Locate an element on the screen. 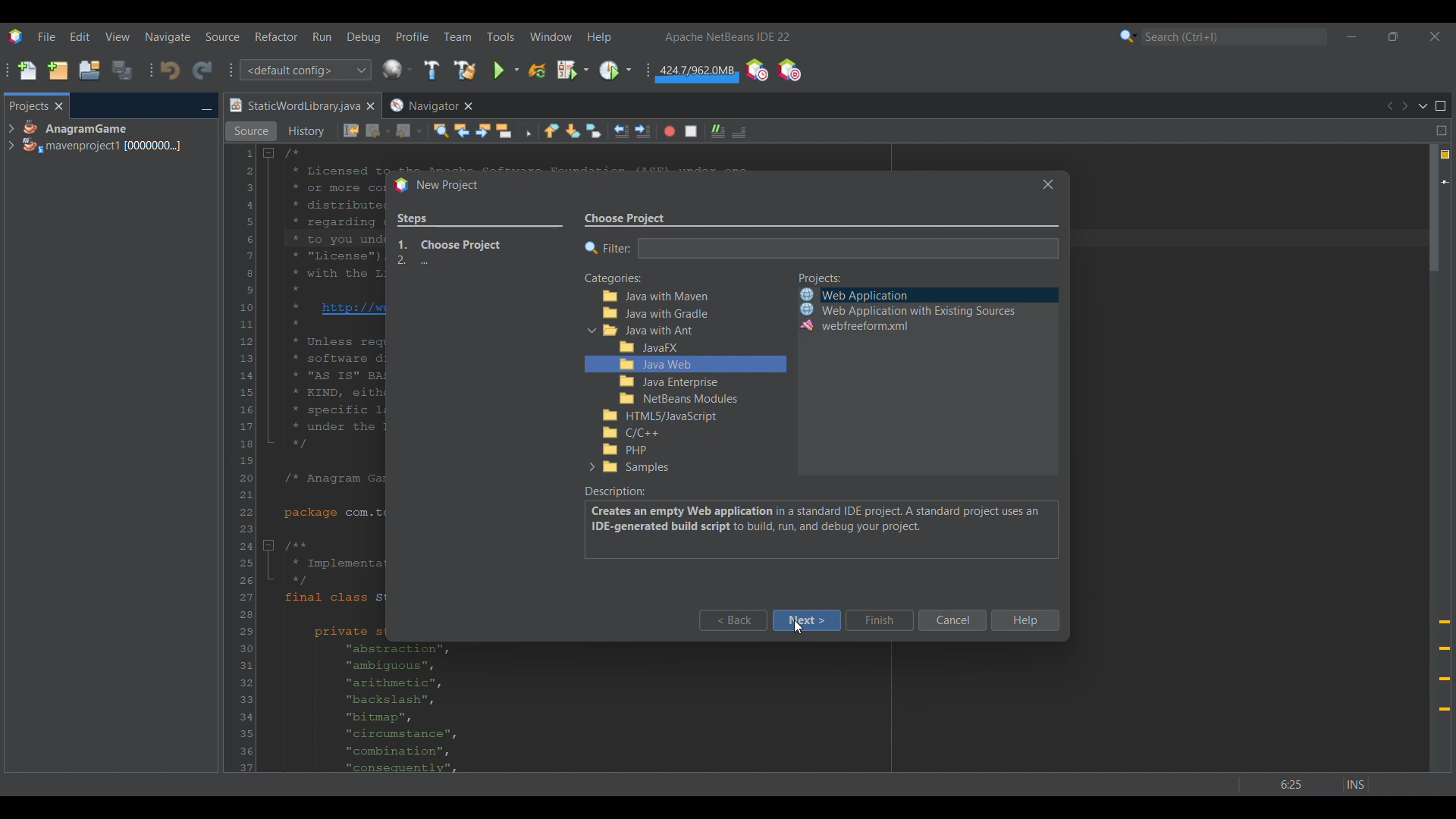  Team menu is located at coordinates (457, 36).